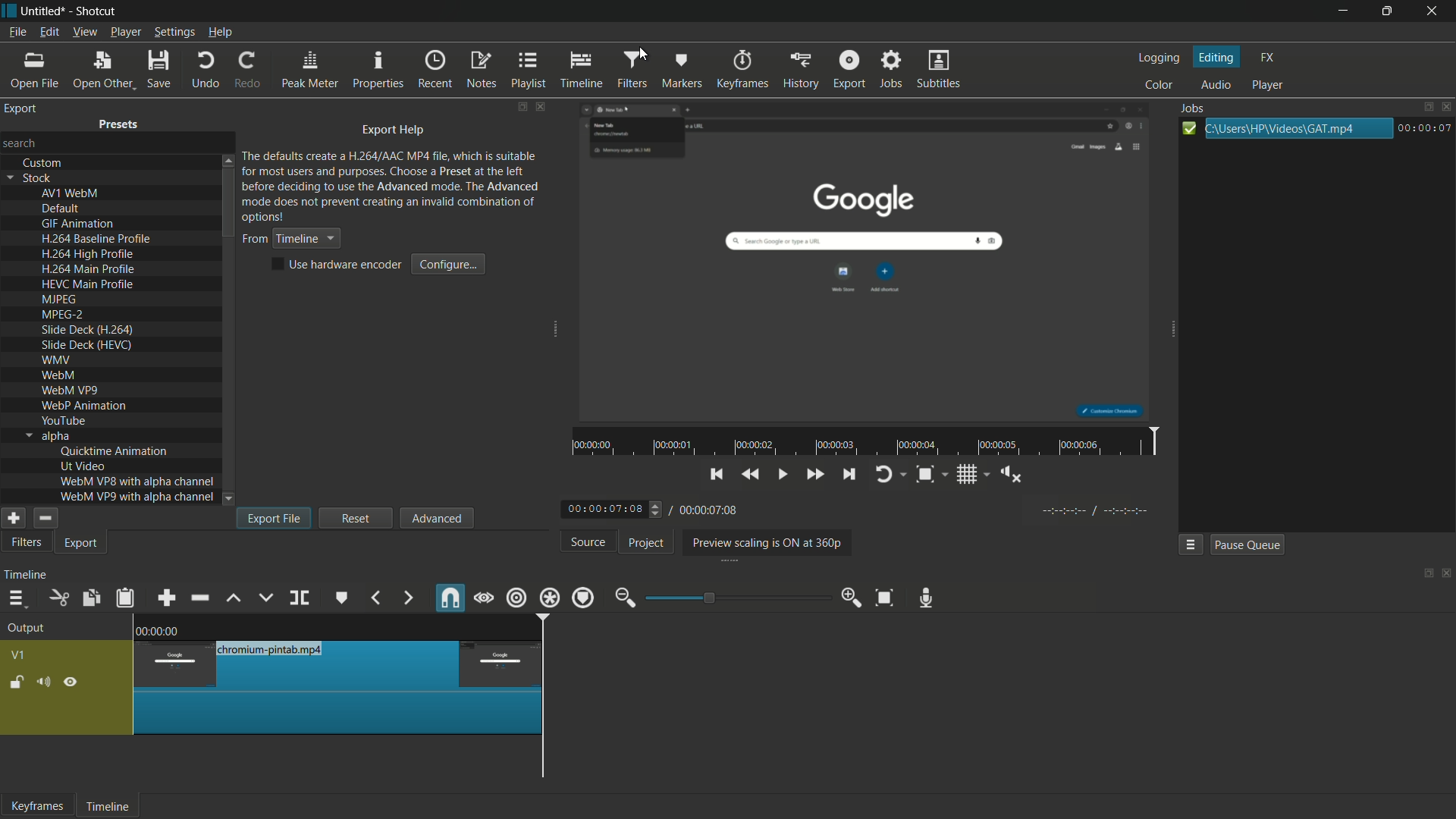 The image size is (1456, 819). What do you see at coordinates (92, 284) in the screenshot?
I see `HEVC Main Profile` at bounding box center [92, 284].